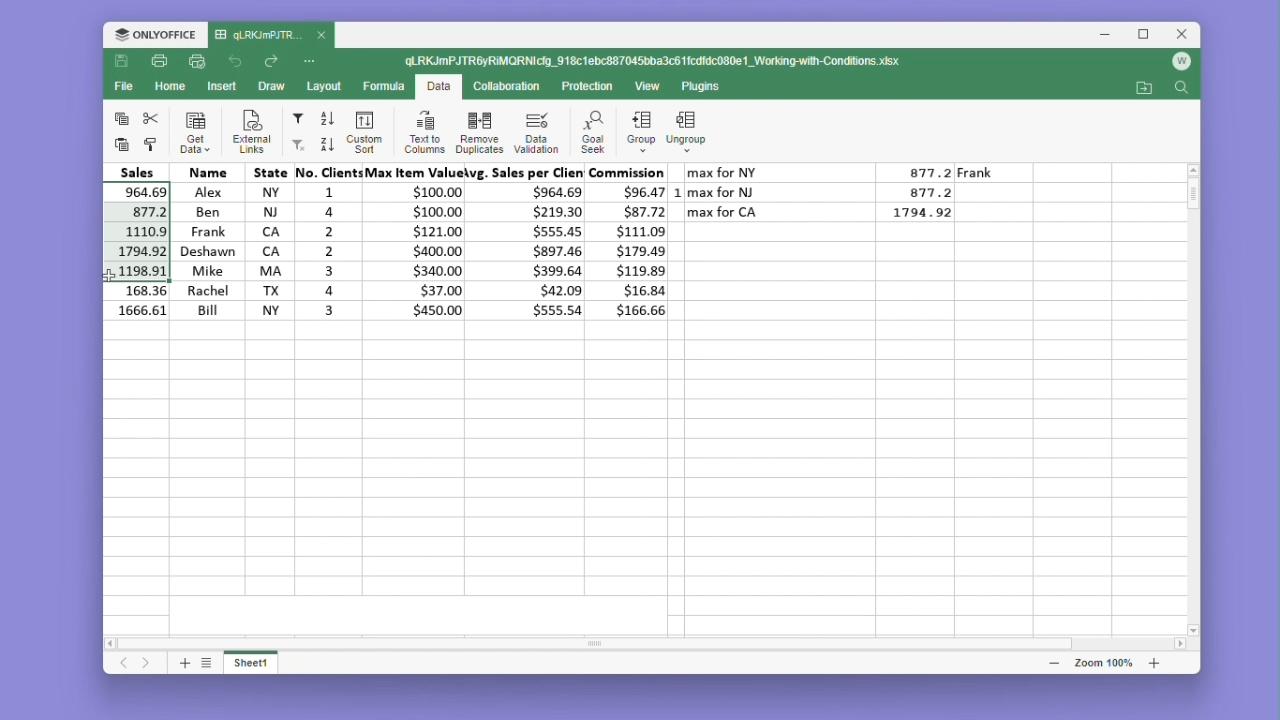  I want to click on Go back , so click(238, 62).